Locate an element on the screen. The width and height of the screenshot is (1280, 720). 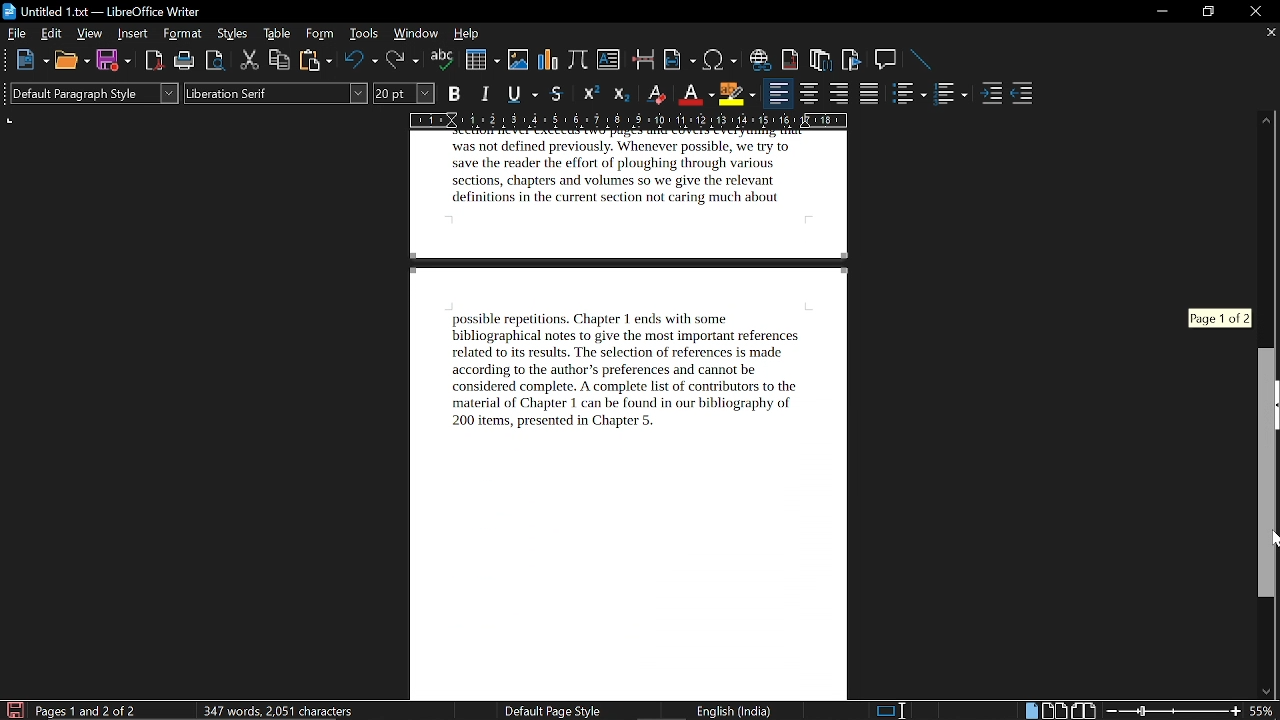
current page is located at coordinates (87, 710).